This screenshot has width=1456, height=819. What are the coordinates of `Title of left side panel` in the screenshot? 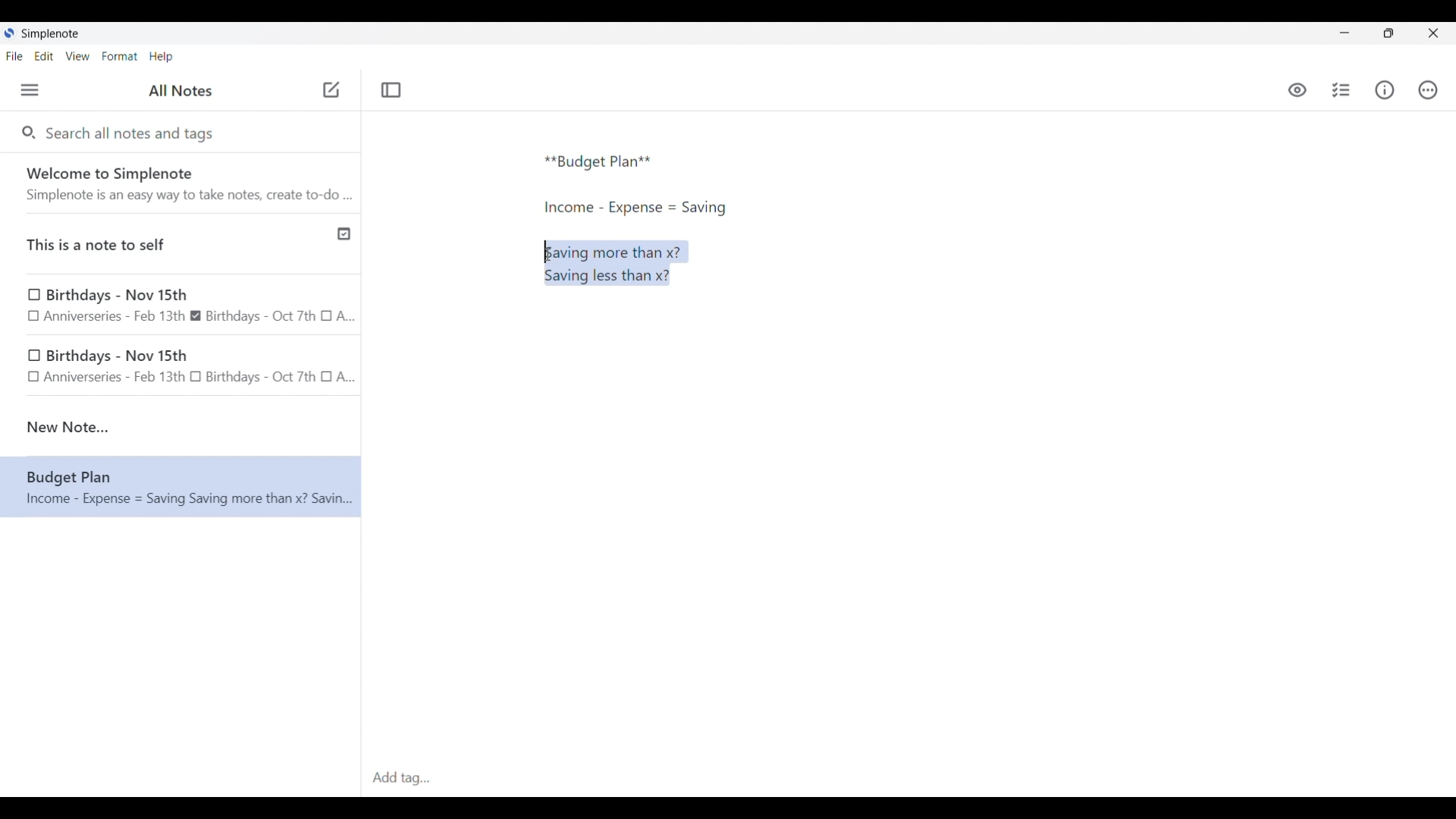 It's located at (180, 91).